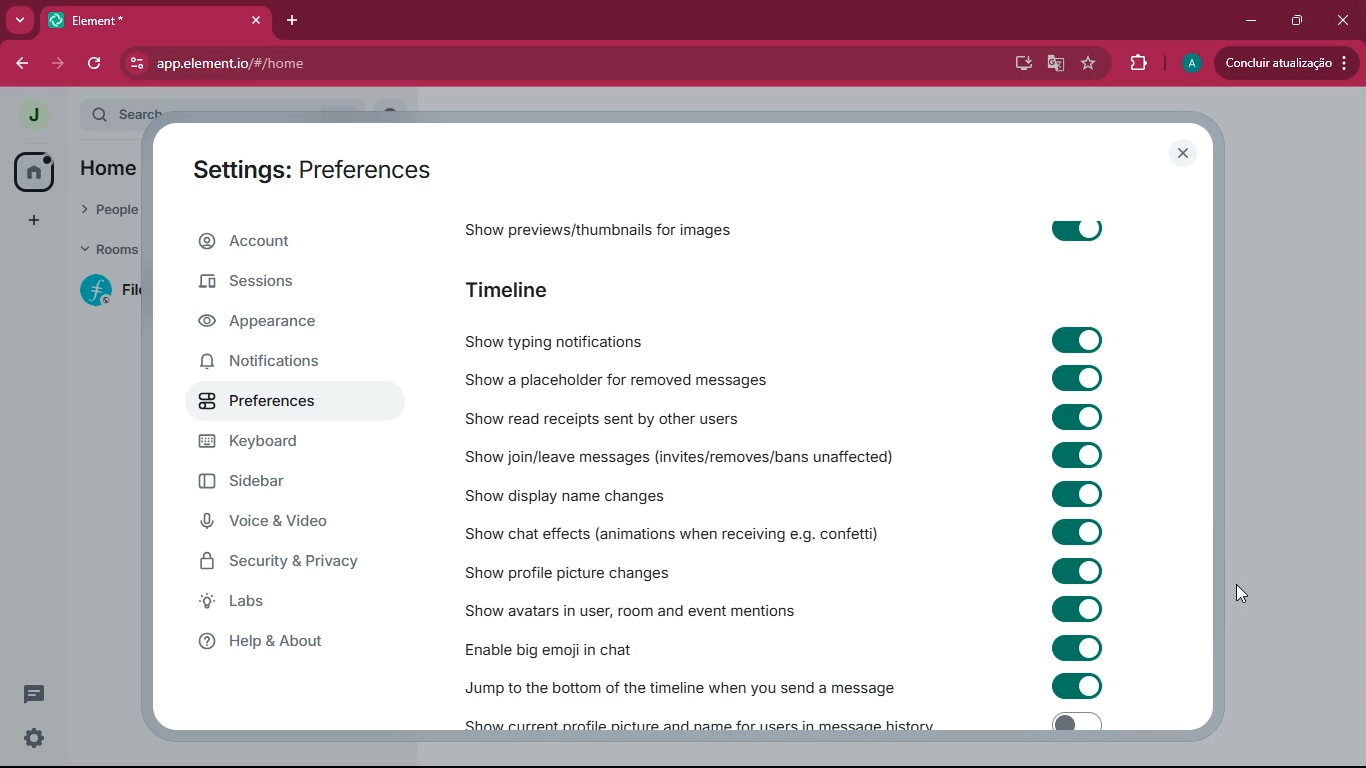  I want to click on toggle on , so click(1073, 417).